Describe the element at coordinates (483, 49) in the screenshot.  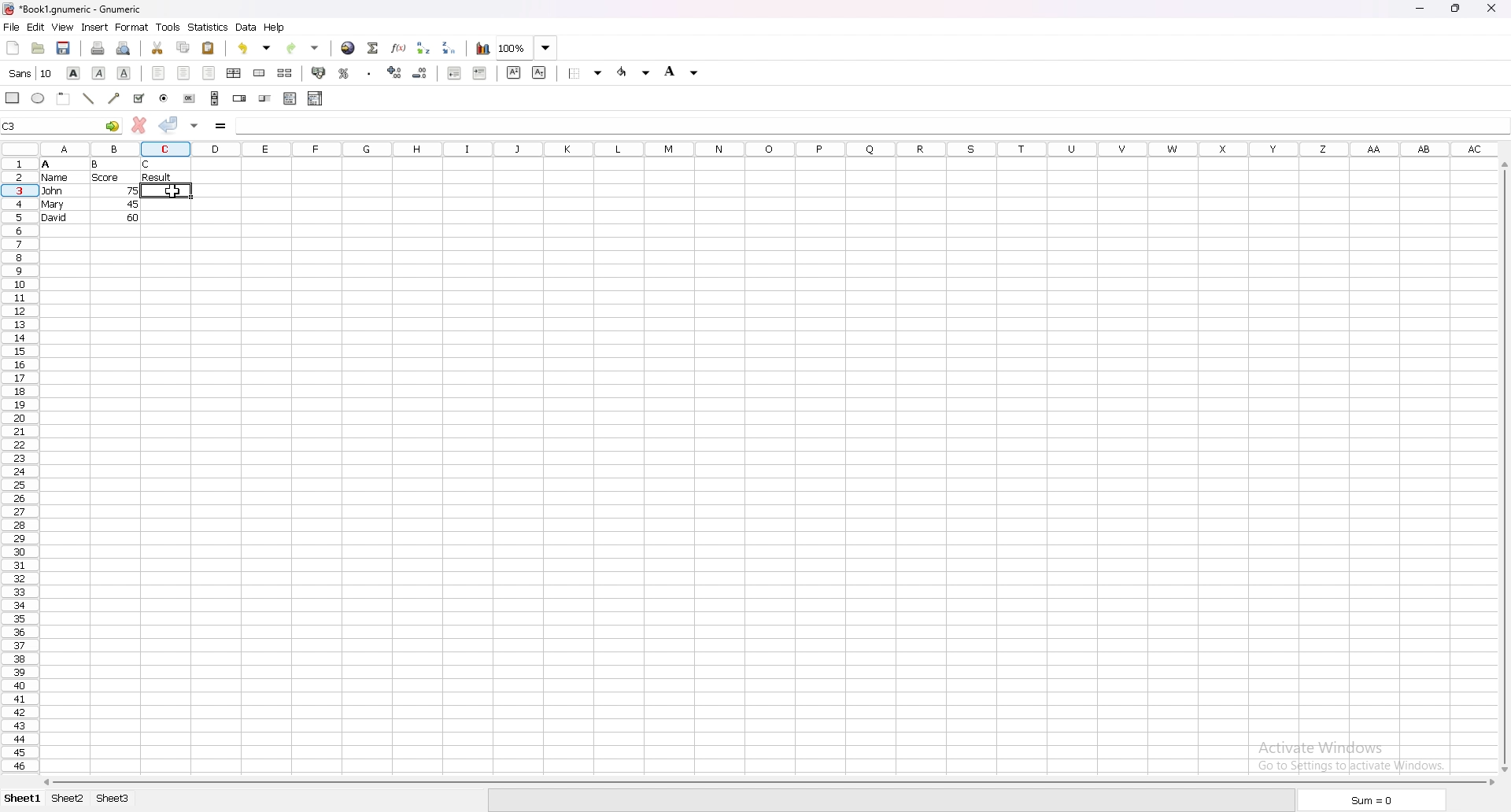
I see `chart` at that location.